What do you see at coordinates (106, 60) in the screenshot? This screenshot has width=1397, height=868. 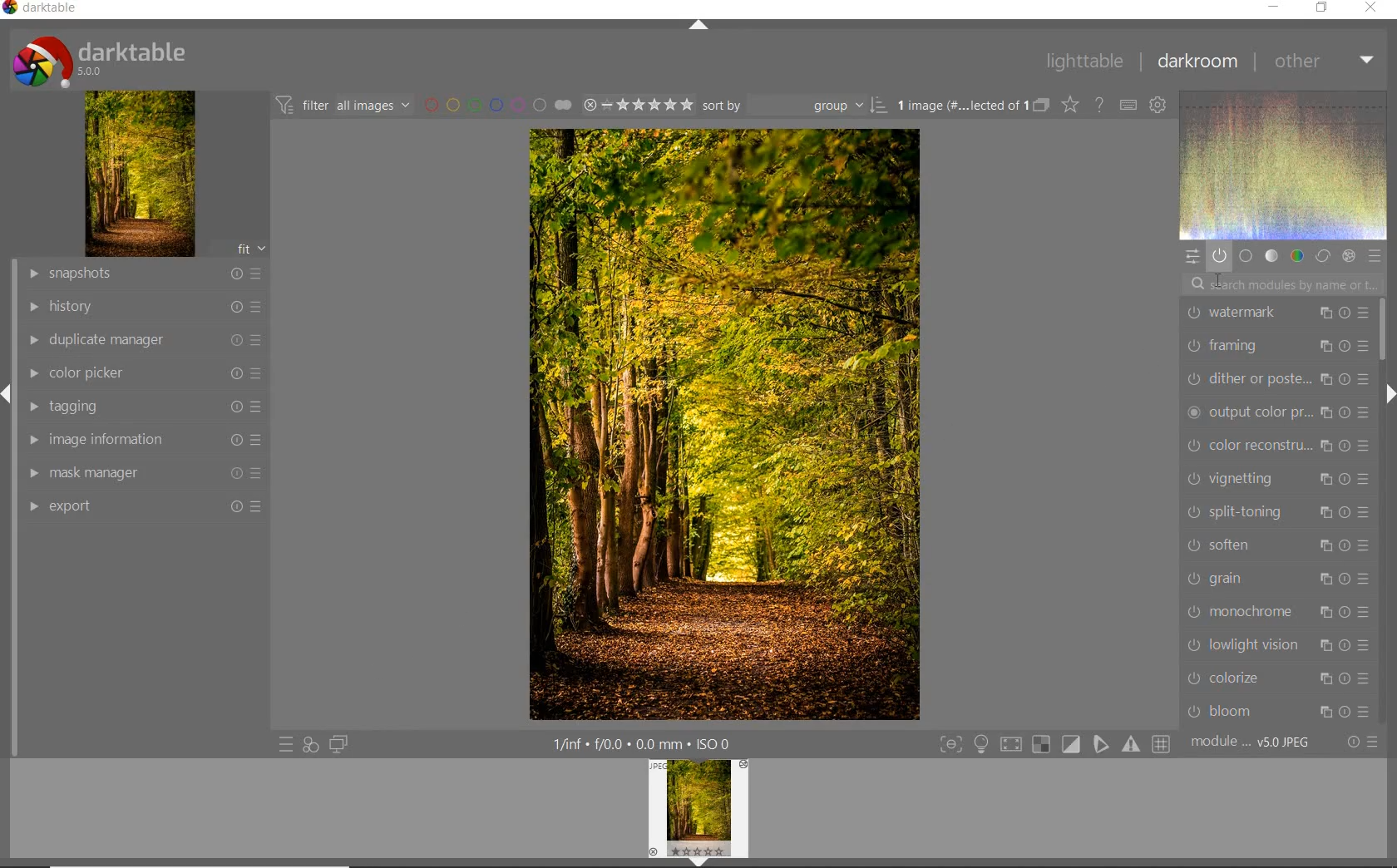 I see `system logo or name` at bounding box center [106, 60].